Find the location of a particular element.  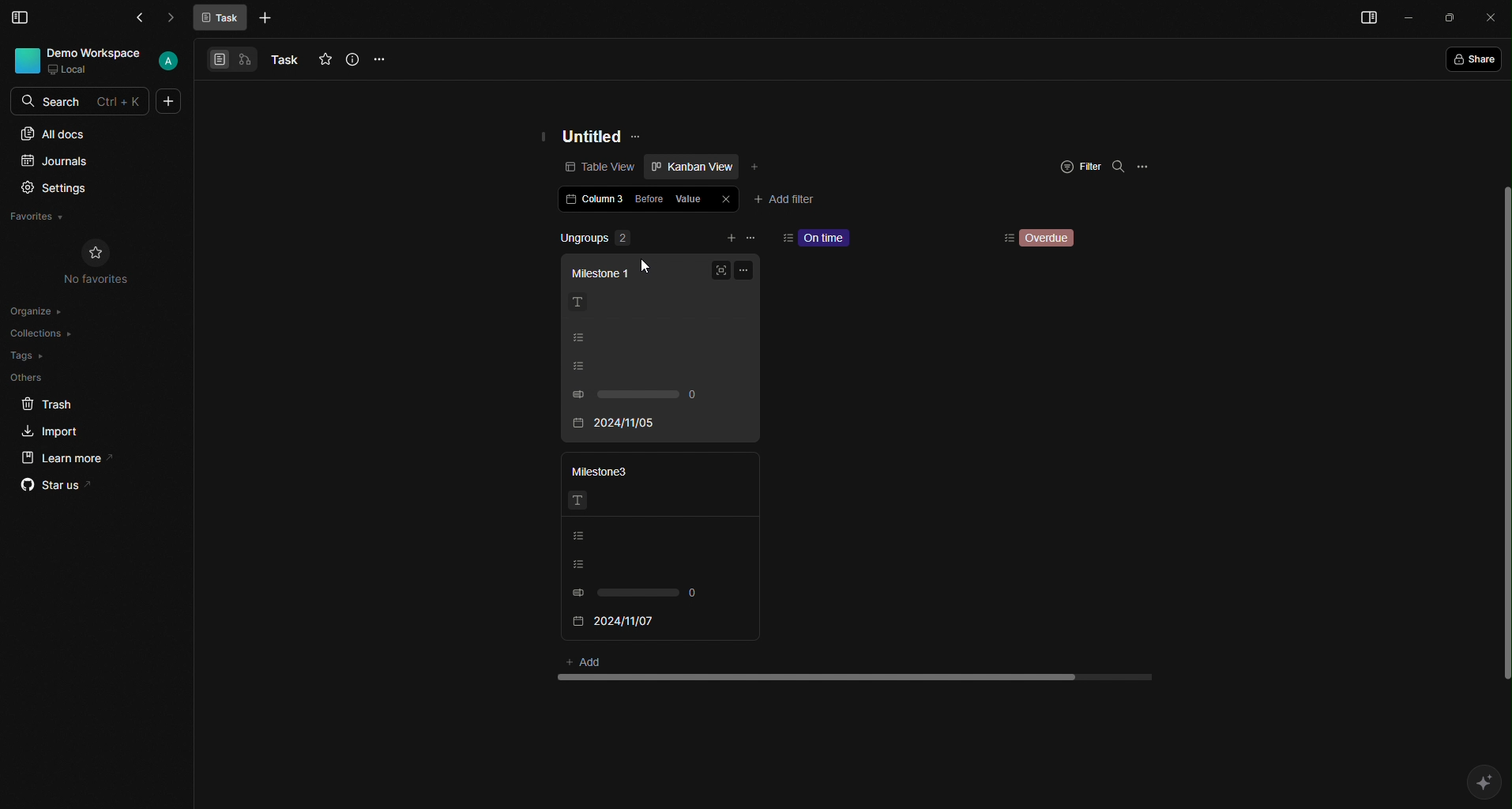

More is located at coordinates (265, 20).